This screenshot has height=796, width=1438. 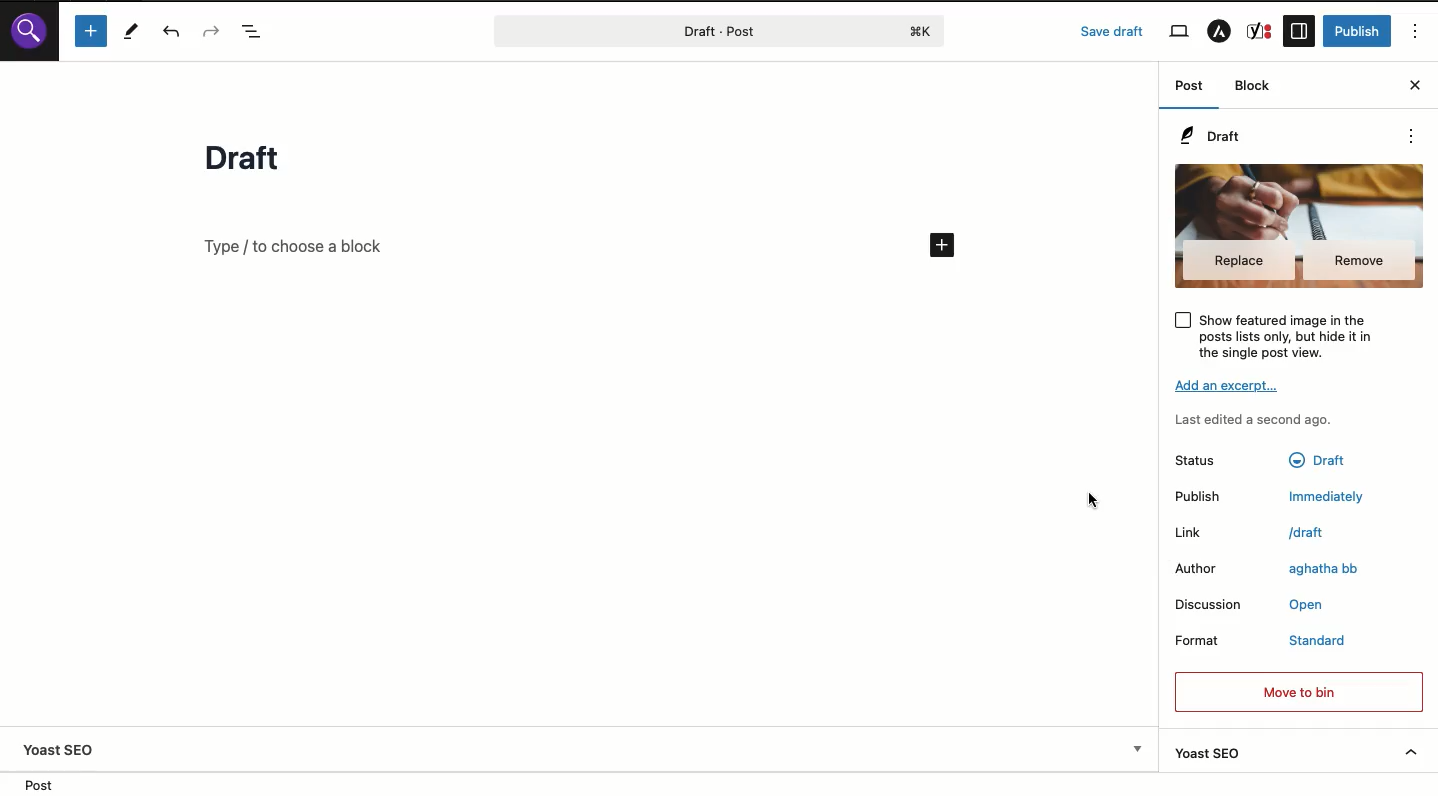 What do you see at coordinates (922, 31) in the screenshot?
I see `command+K` at bounding box center [922, 31].